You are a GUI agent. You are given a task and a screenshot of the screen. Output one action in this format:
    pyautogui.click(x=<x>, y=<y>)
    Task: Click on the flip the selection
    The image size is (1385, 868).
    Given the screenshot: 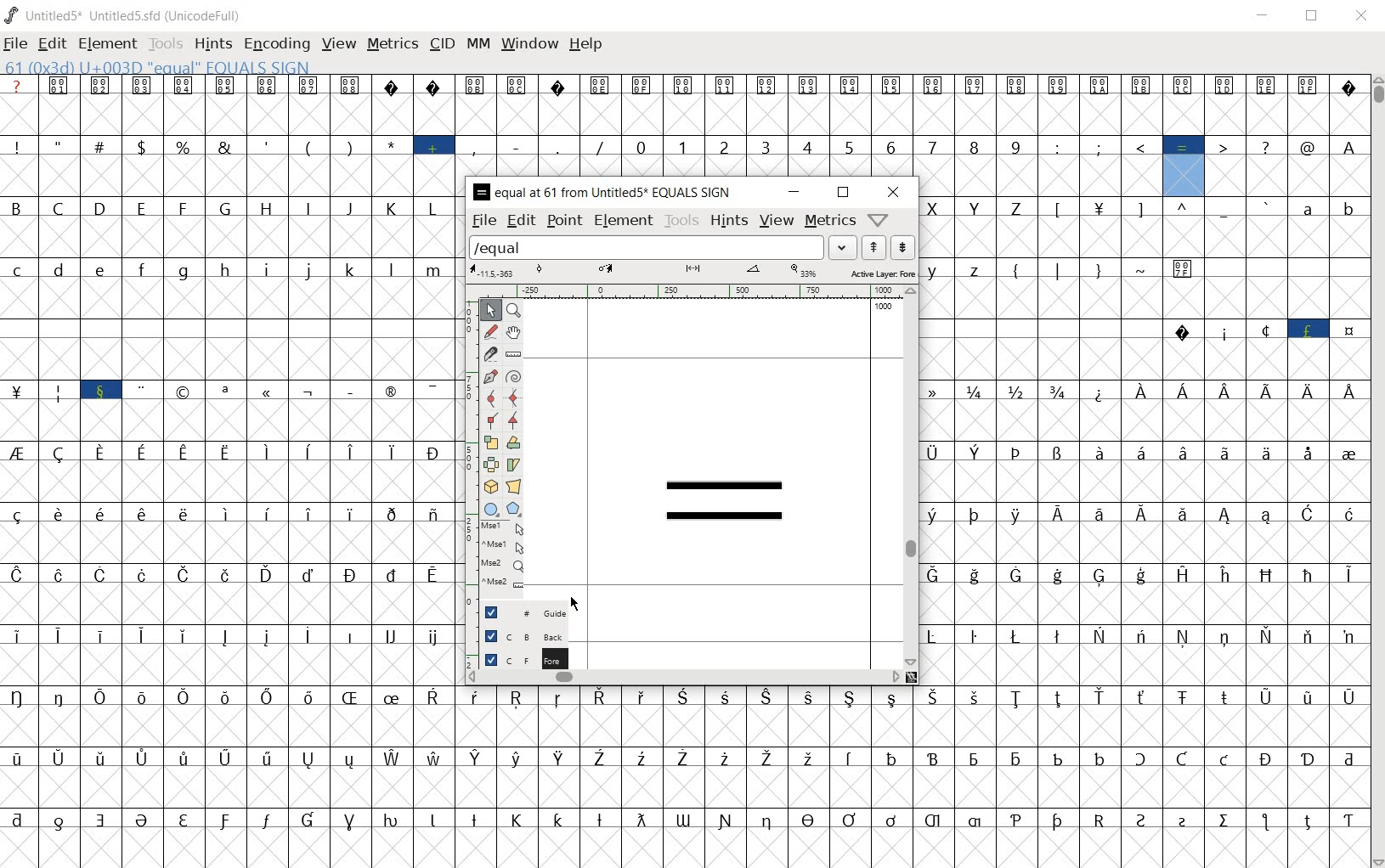 What is the action you would take?
    pyautogui.click(x=491, y=465)
    